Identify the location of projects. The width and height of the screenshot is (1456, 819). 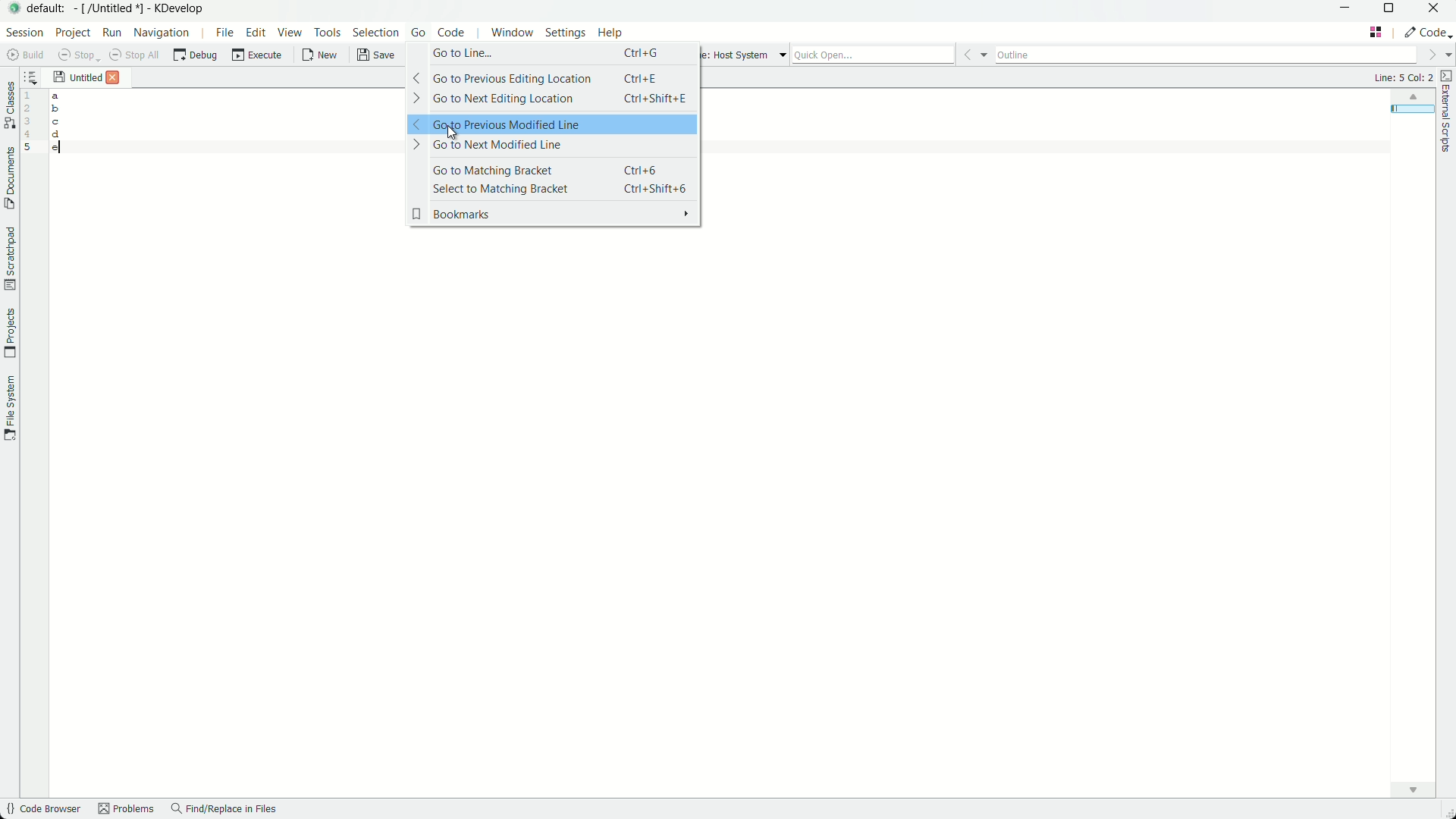
(11, 332).